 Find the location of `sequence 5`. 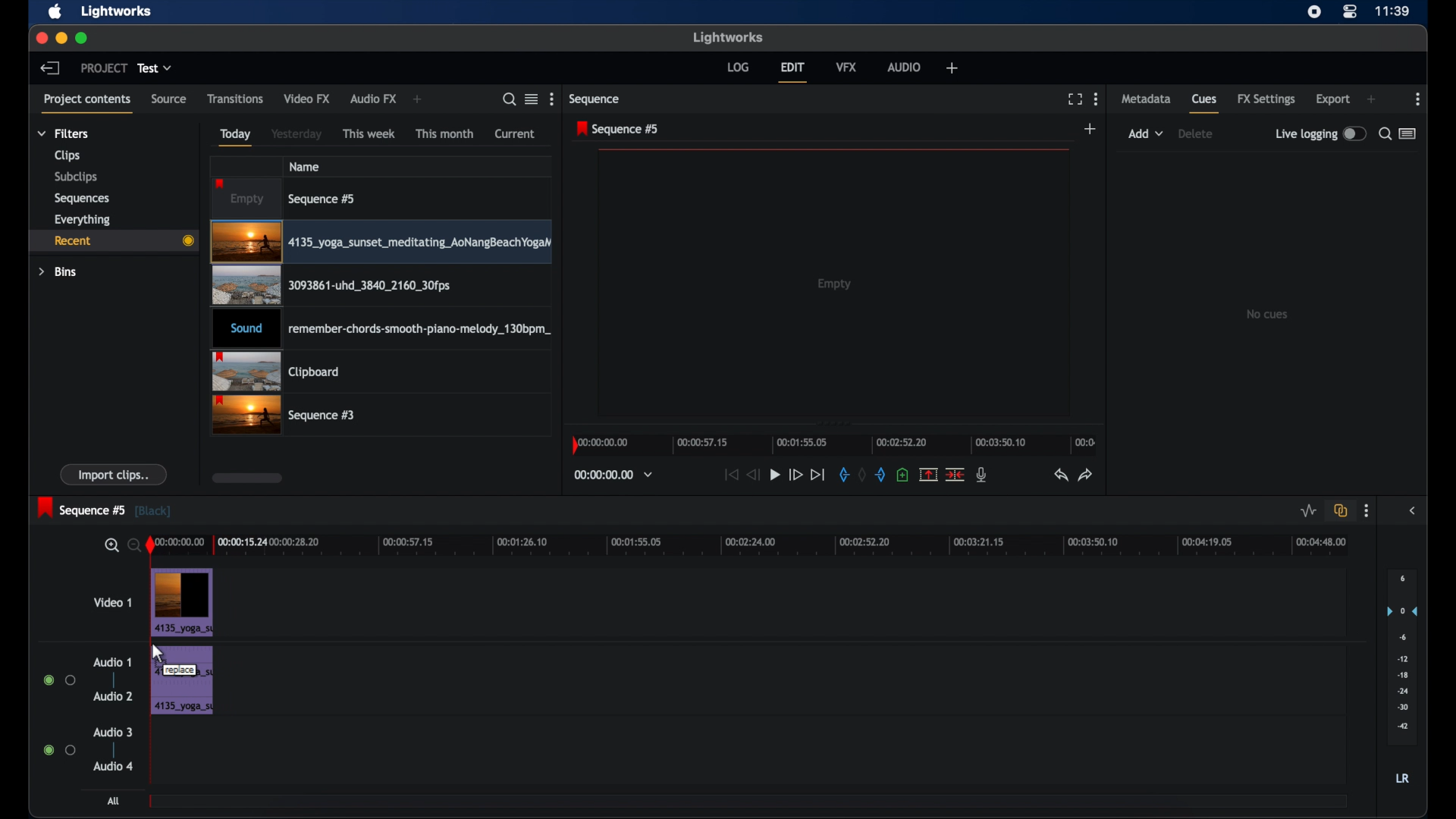

sequence 5 is located at coordinates (618, 129).